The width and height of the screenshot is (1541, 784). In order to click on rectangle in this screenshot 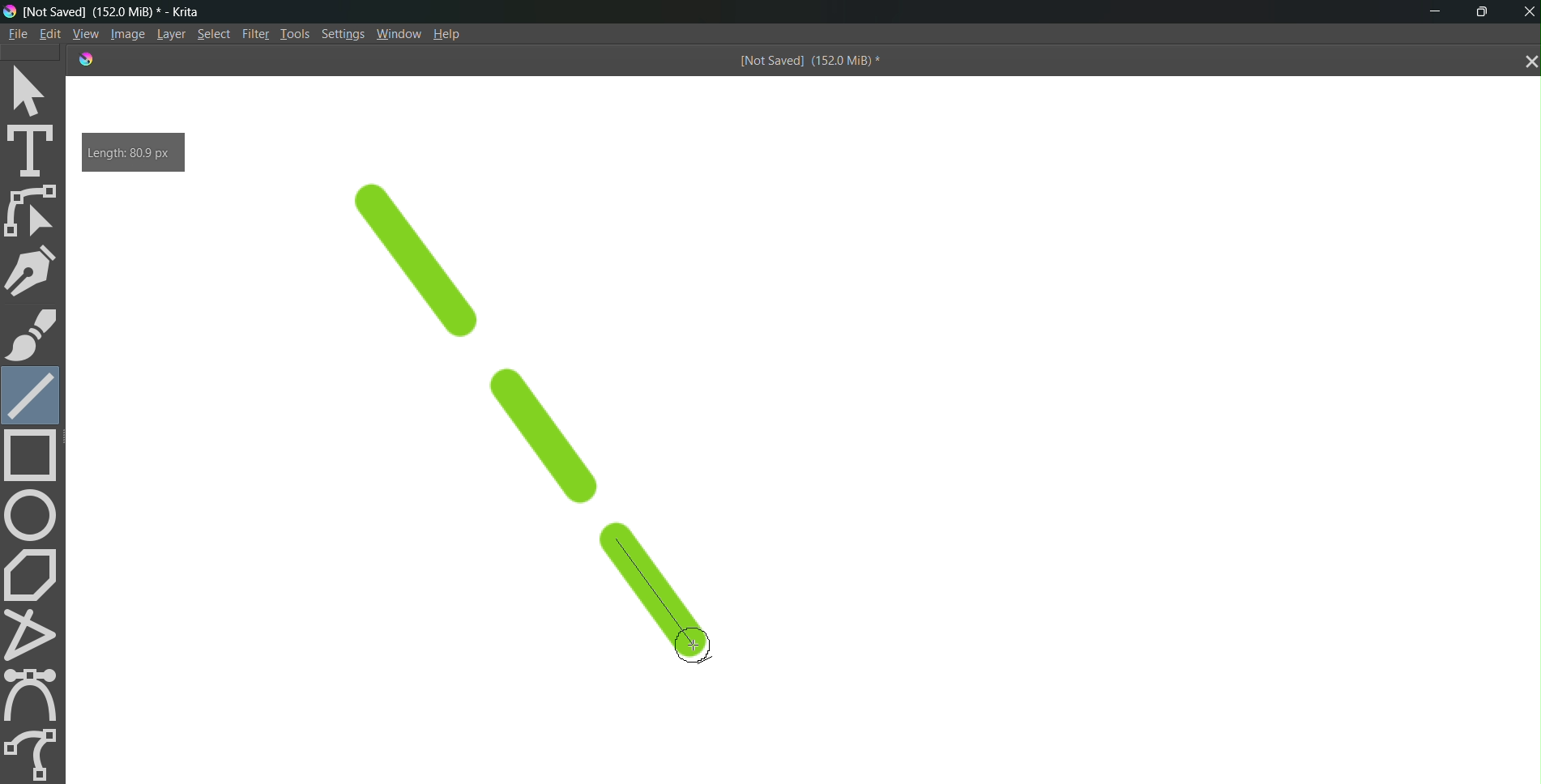, I will do `click(36, 457)`.